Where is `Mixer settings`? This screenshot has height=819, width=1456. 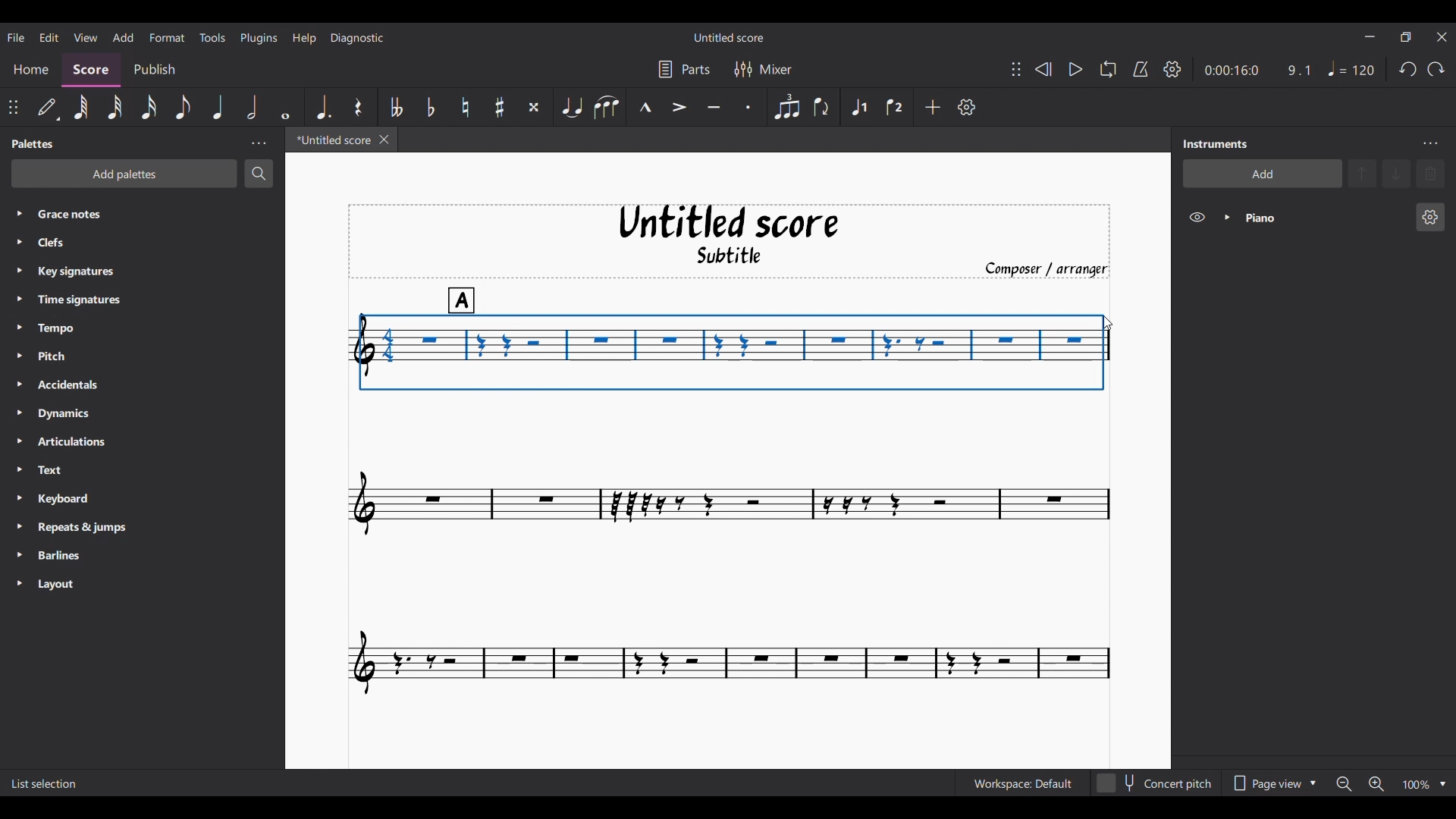
Mixer settings is located at coordinates (763, 69).